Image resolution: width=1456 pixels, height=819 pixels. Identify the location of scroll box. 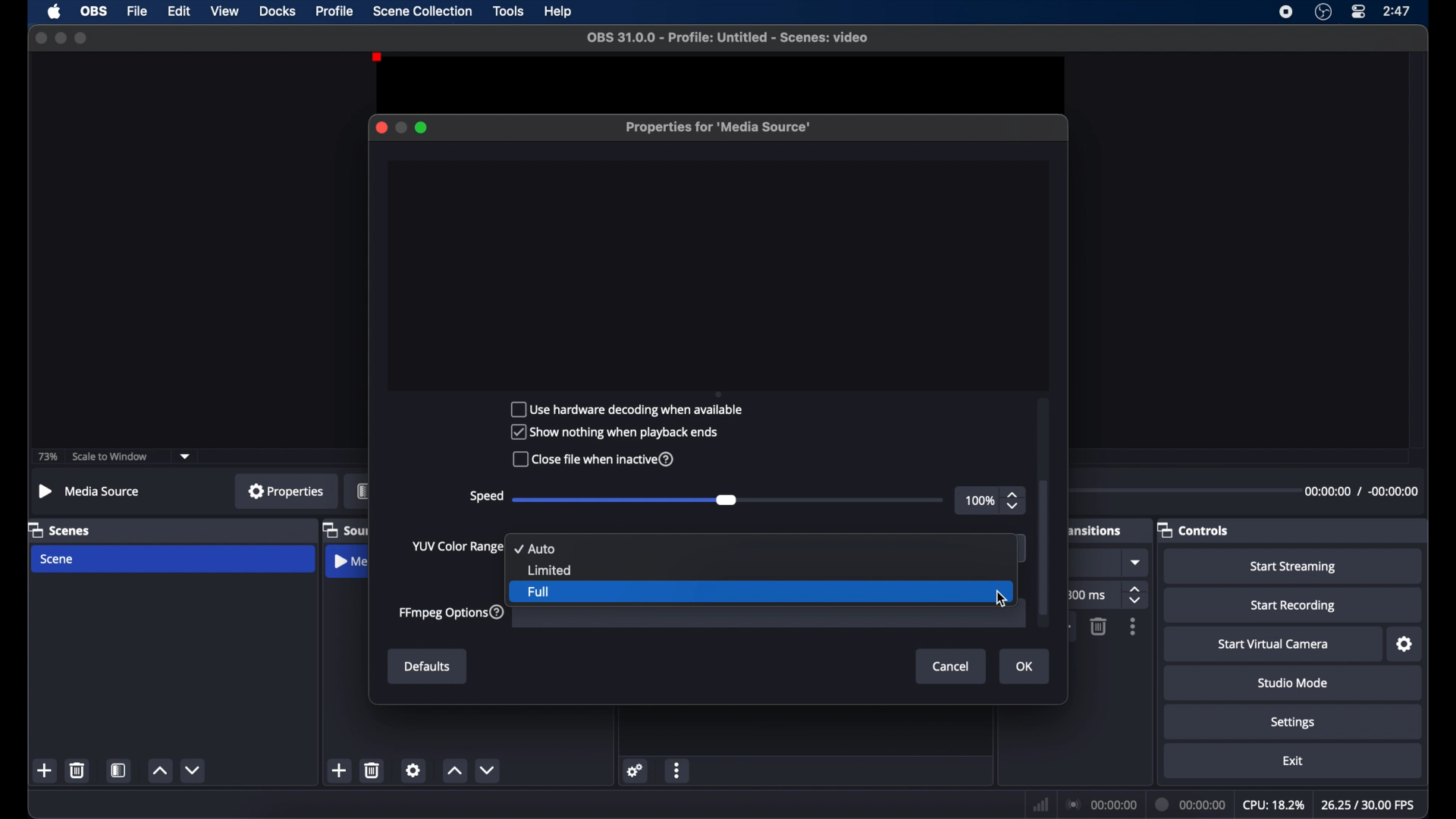
(1046, 547).